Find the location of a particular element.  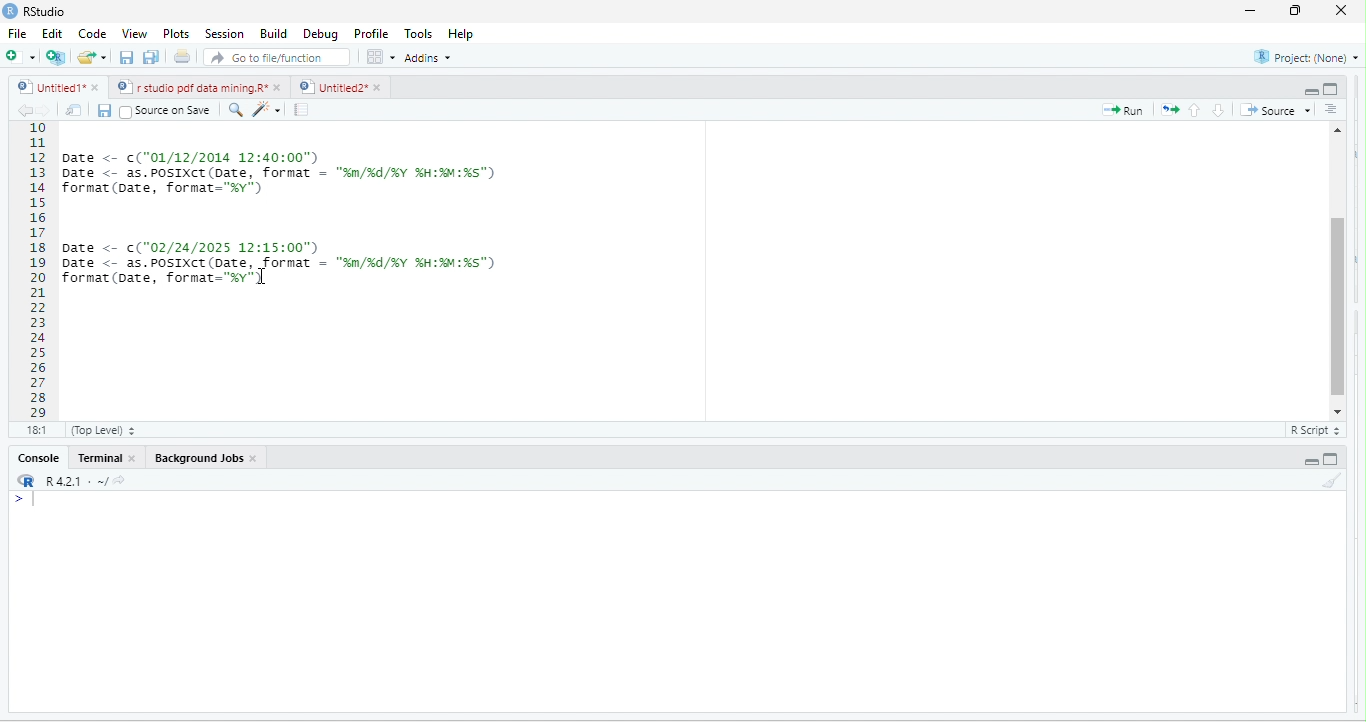

close is located at coordinates (257, 461).